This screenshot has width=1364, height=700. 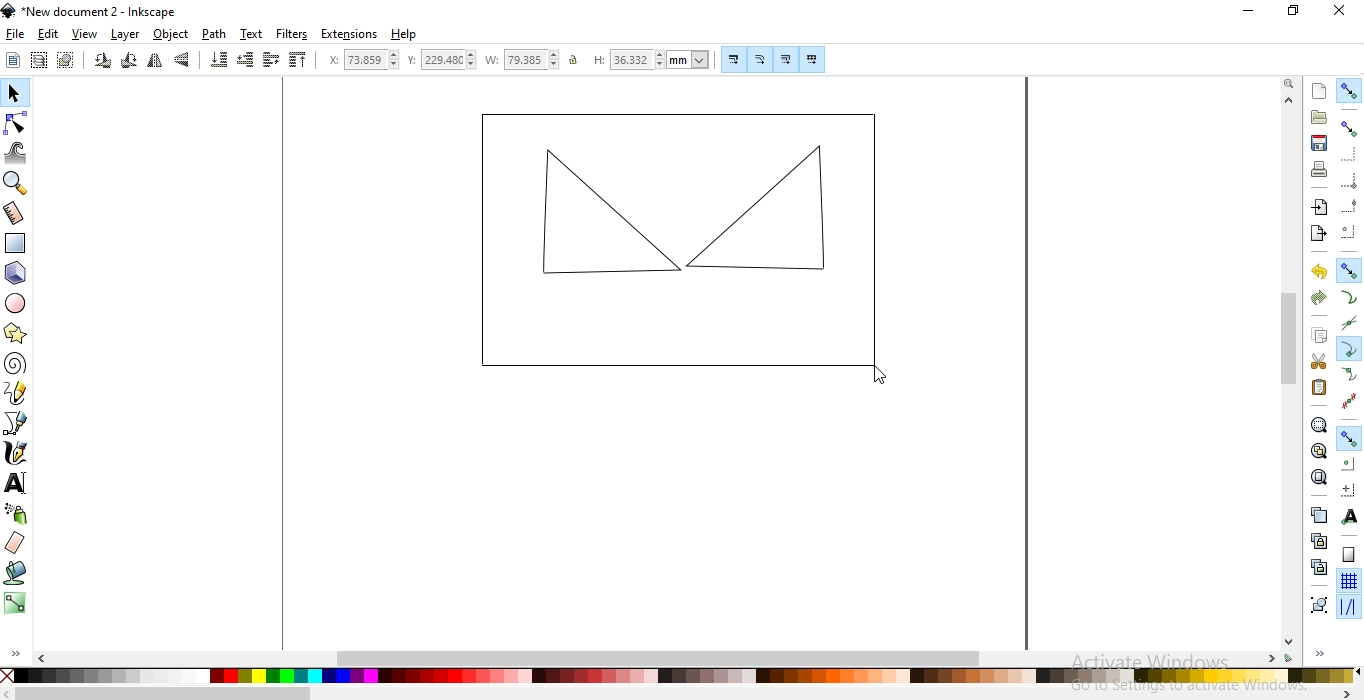 What do you see at coordinates (1292, 10) in the screenshot?
I see `restore down` at bounding box center [1292, 10].